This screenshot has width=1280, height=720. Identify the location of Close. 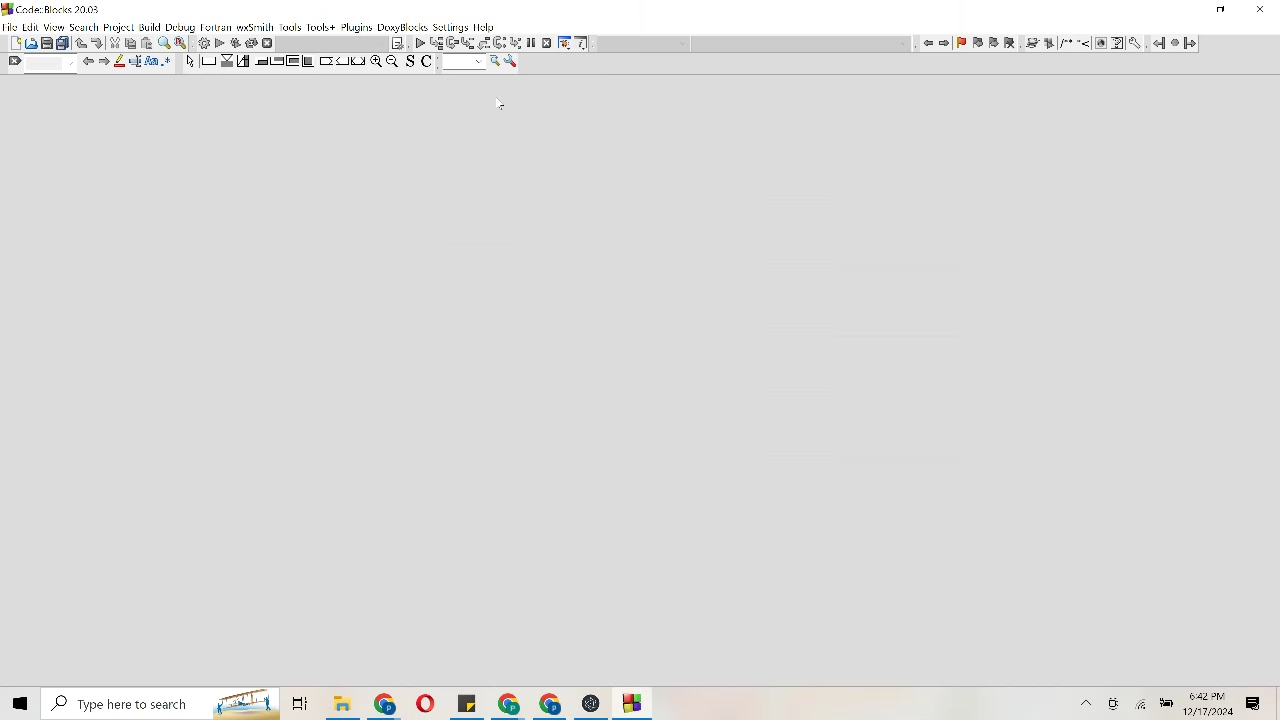
(1261, 10).